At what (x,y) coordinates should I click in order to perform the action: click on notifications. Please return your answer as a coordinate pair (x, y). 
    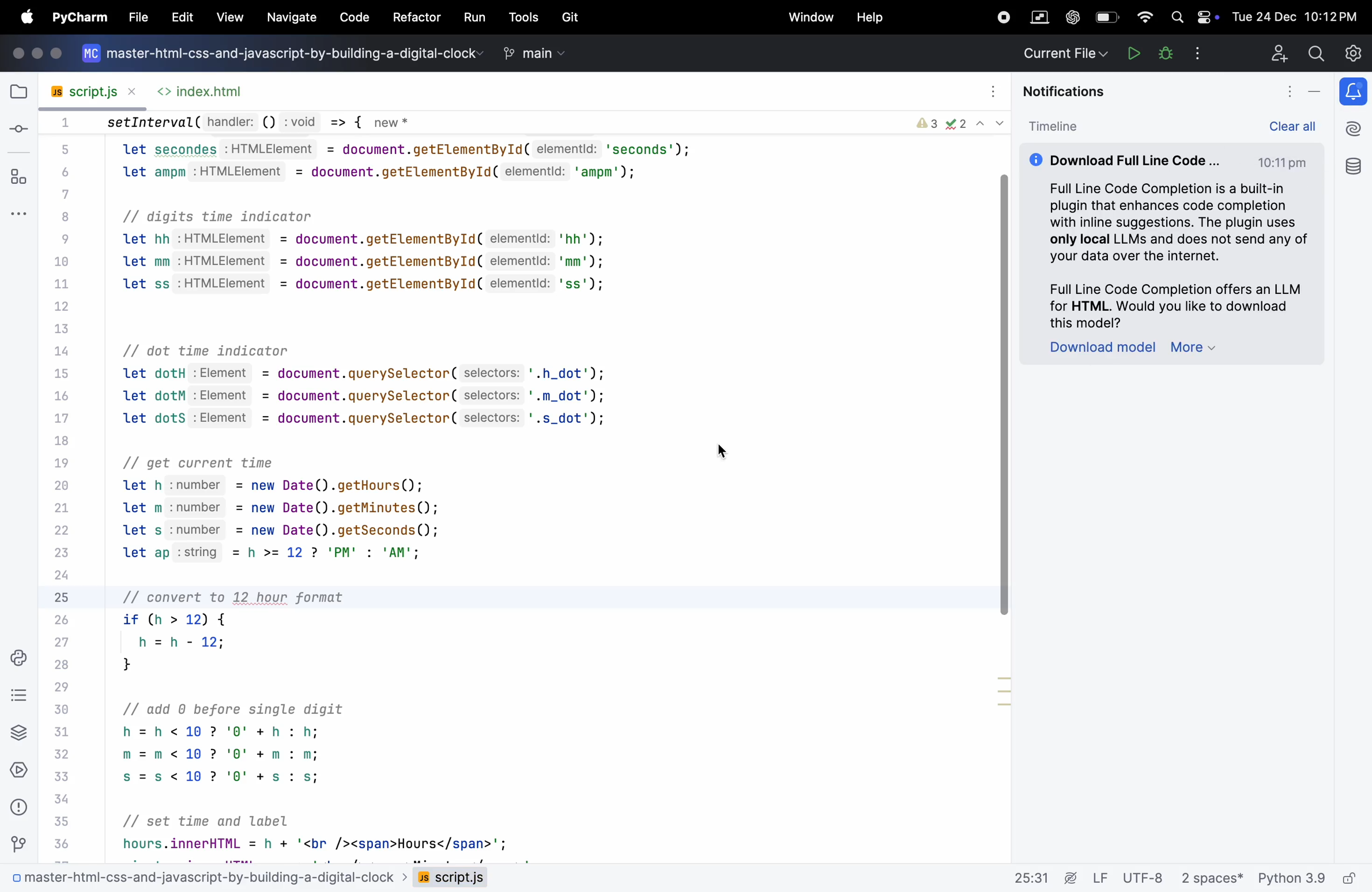
    Looking at the image, I should click on (1355, 90).